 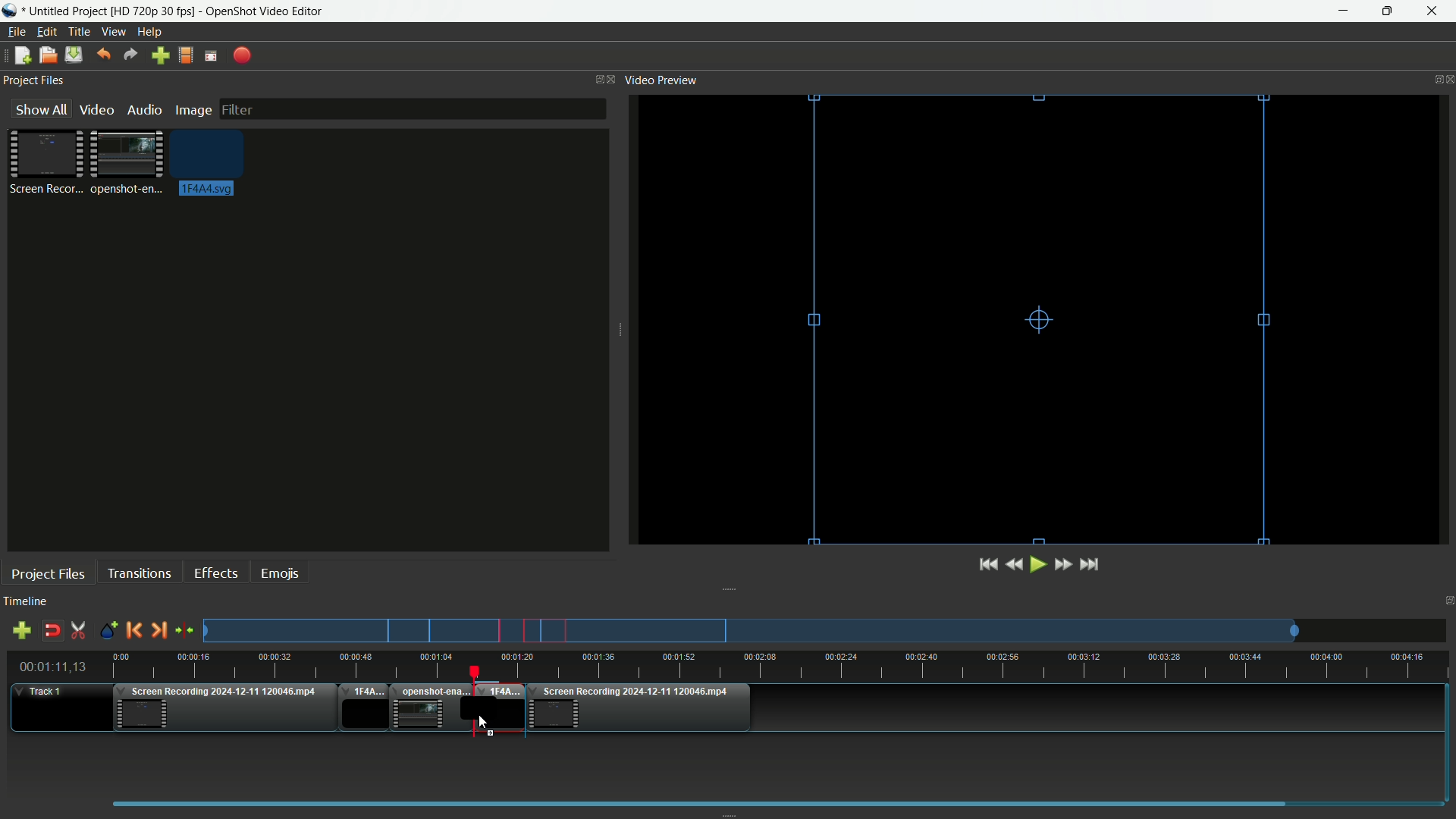 I want to click on dragging placeholder to another empty space, so click(x=497, y=708).